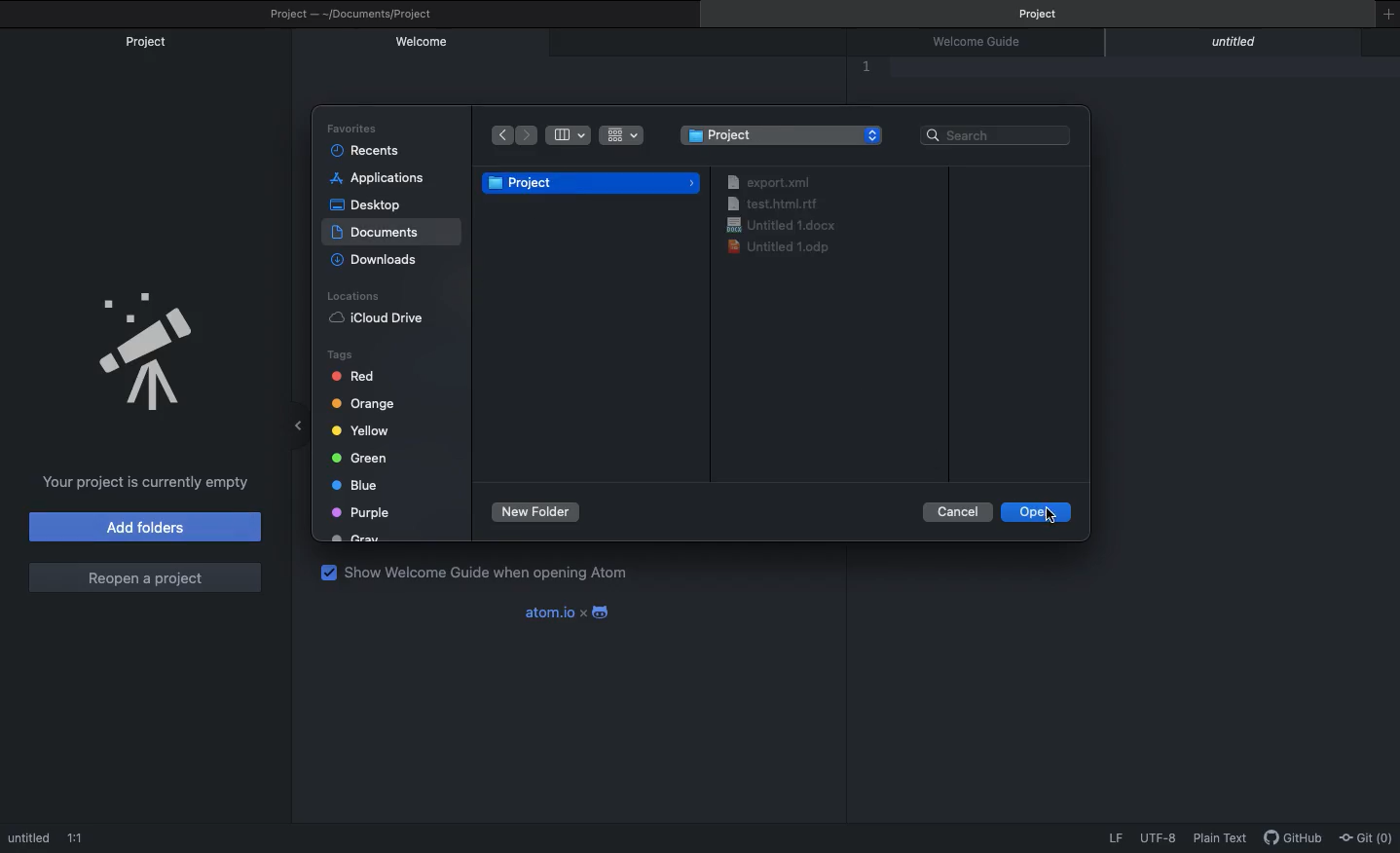  I want to click on Desktop, so click(371, 205).